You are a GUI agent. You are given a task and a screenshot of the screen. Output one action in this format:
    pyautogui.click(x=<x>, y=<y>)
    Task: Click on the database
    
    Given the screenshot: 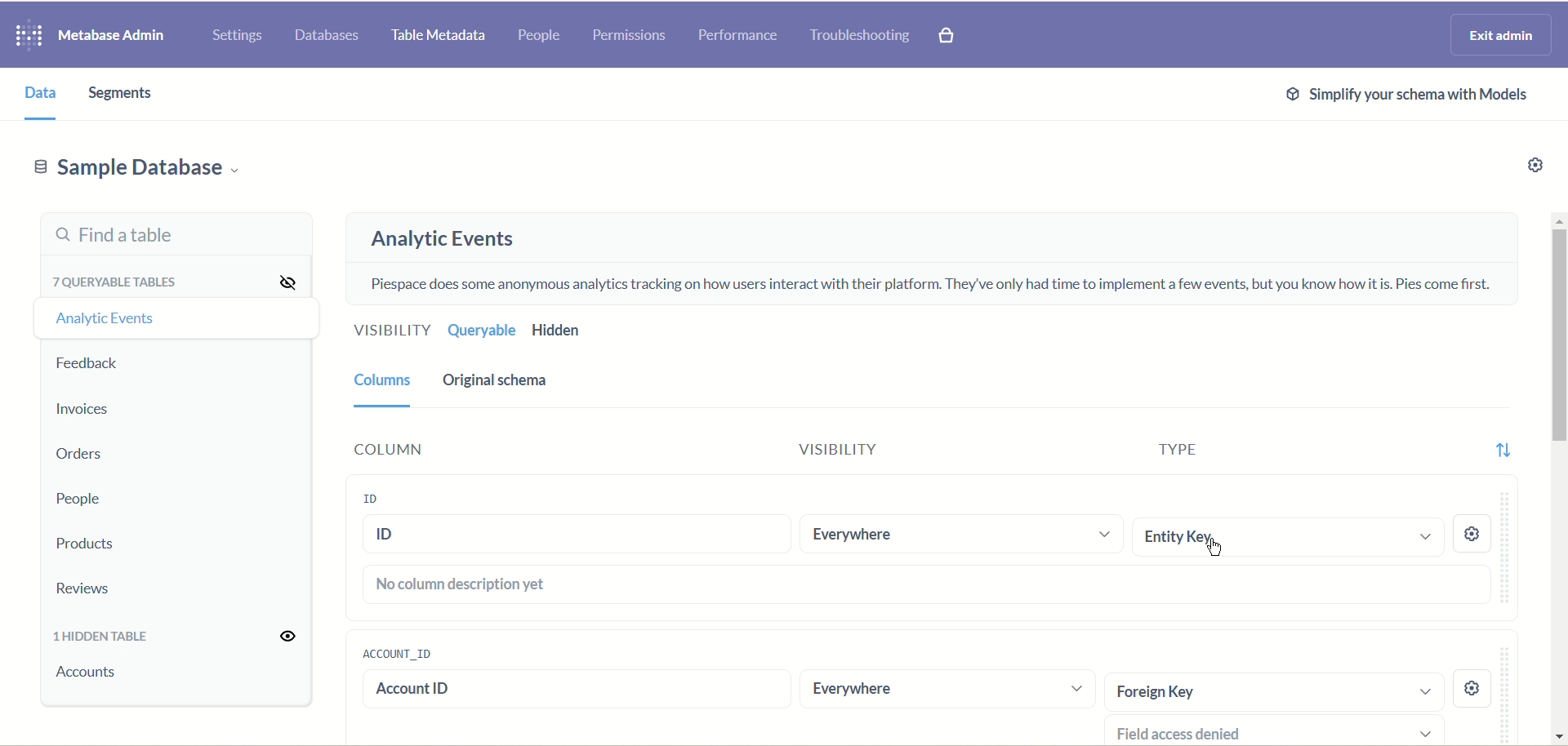 What is the action you would take?
    pyautogui.click(x=330, y=36)
    